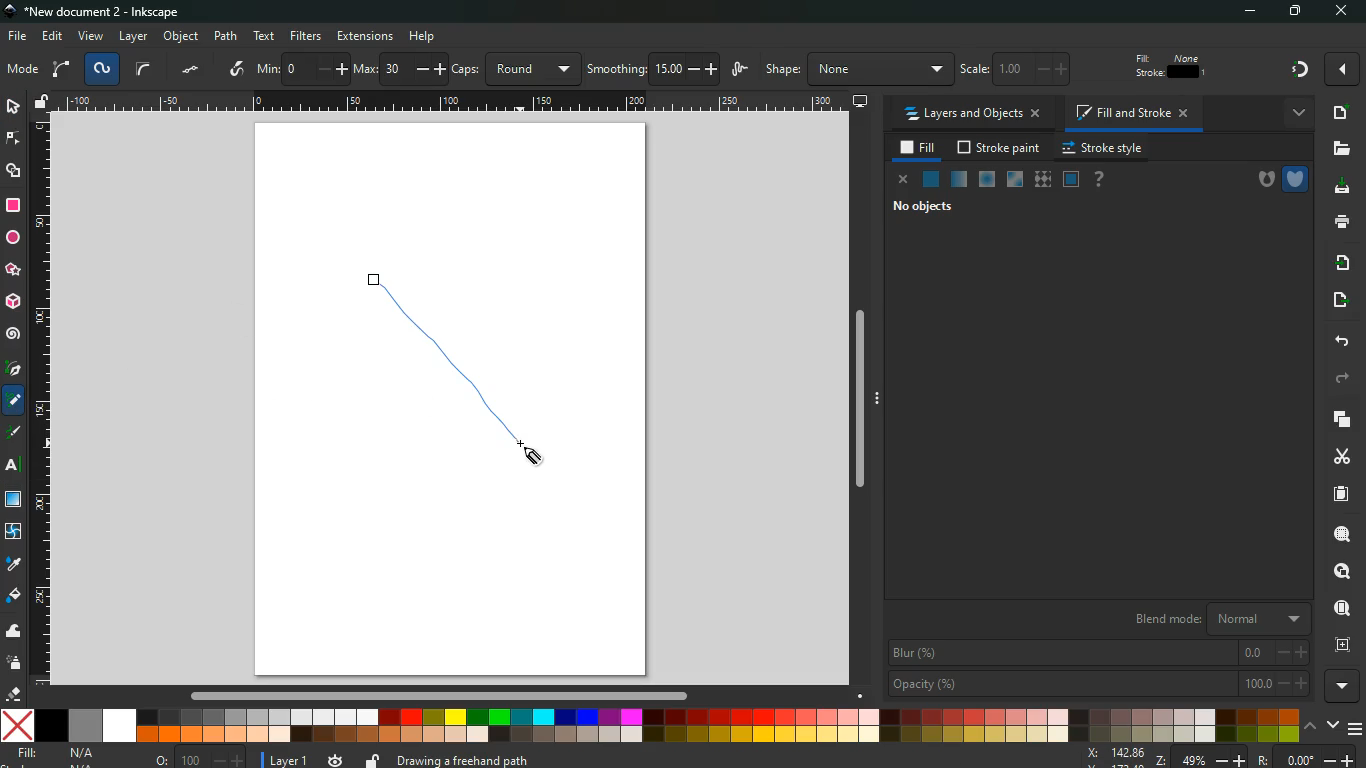 Image resolution: width=1366 pixels, height=768 pixels. What do you see at coordinates (1337, 149) in the screenshot?
I see `files` at bounding box center [1337, 149].